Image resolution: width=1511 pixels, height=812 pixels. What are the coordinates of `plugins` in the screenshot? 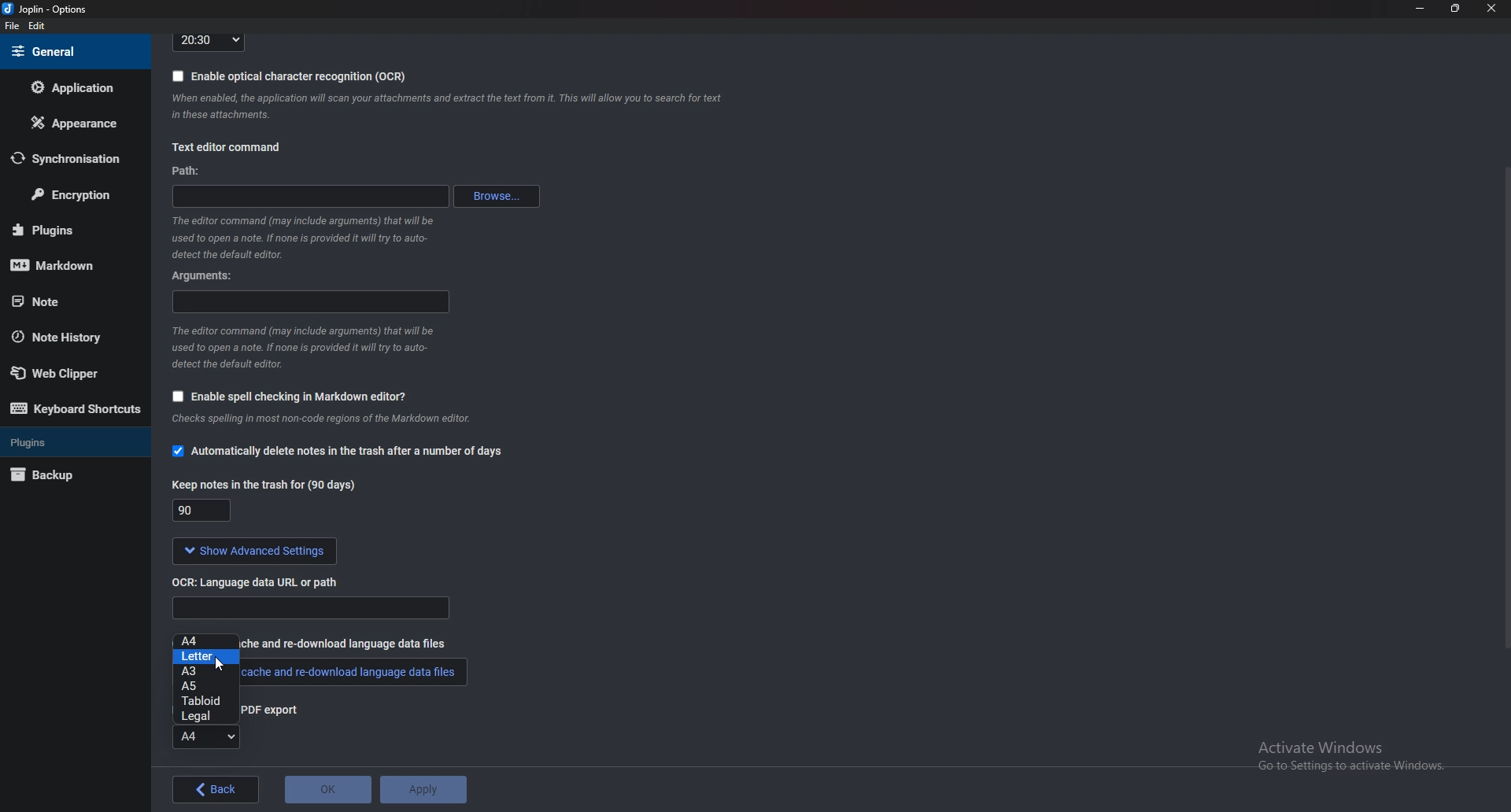 It's located at (71, 441).